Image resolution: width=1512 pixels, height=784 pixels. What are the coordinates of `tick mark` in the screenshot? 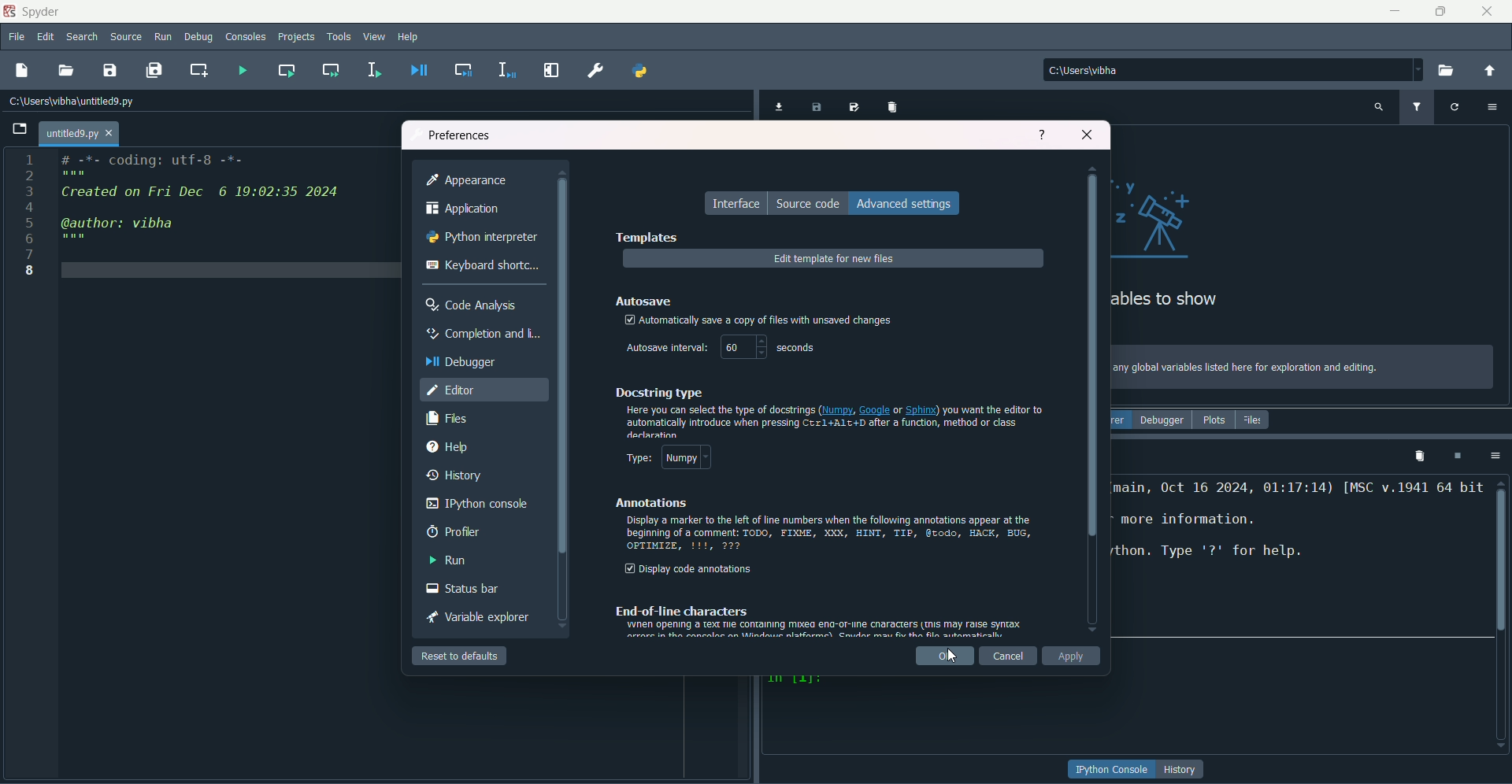 It's located at (629, 320).